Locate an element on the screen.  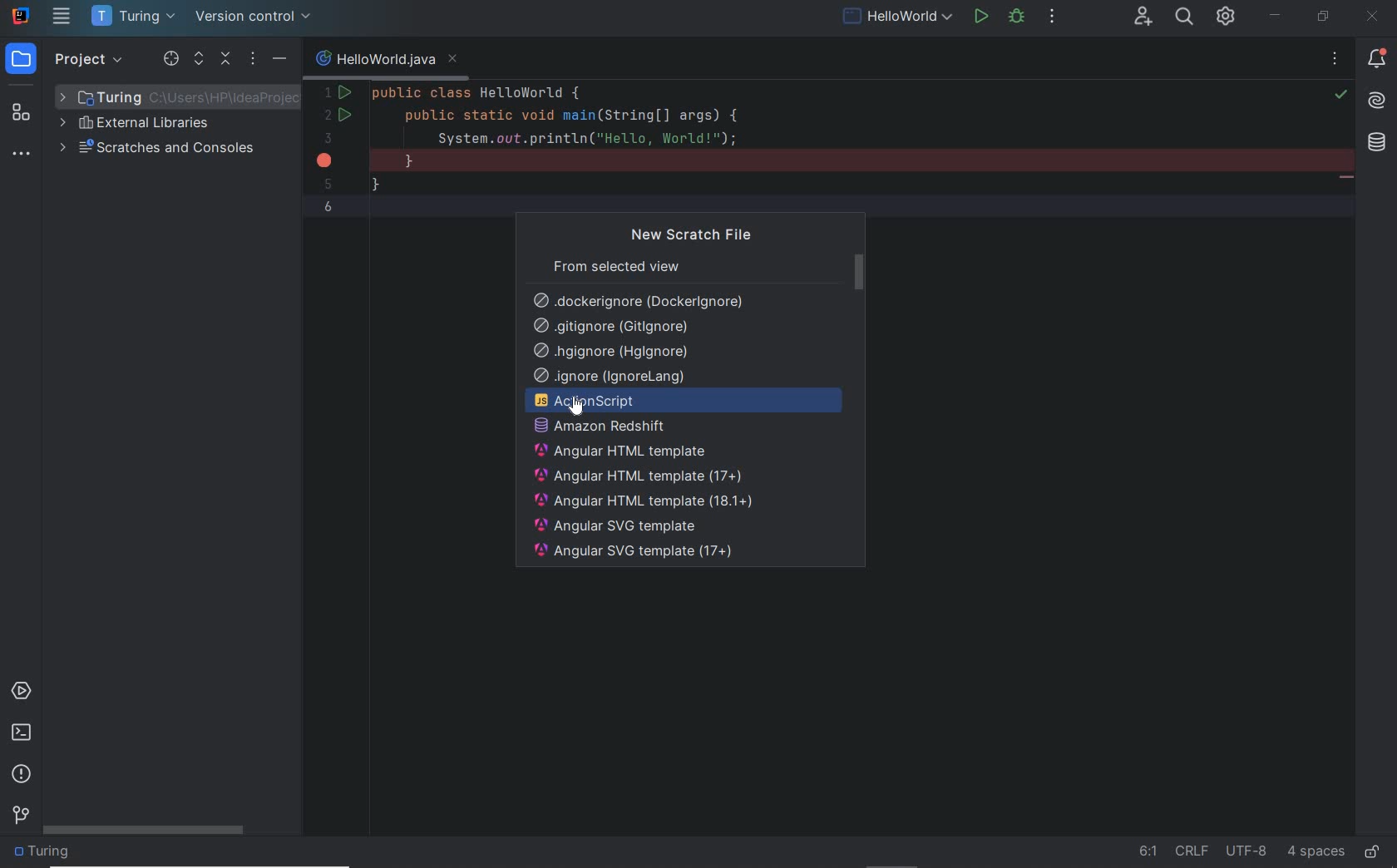
5 is located at coordinates (328, 184).